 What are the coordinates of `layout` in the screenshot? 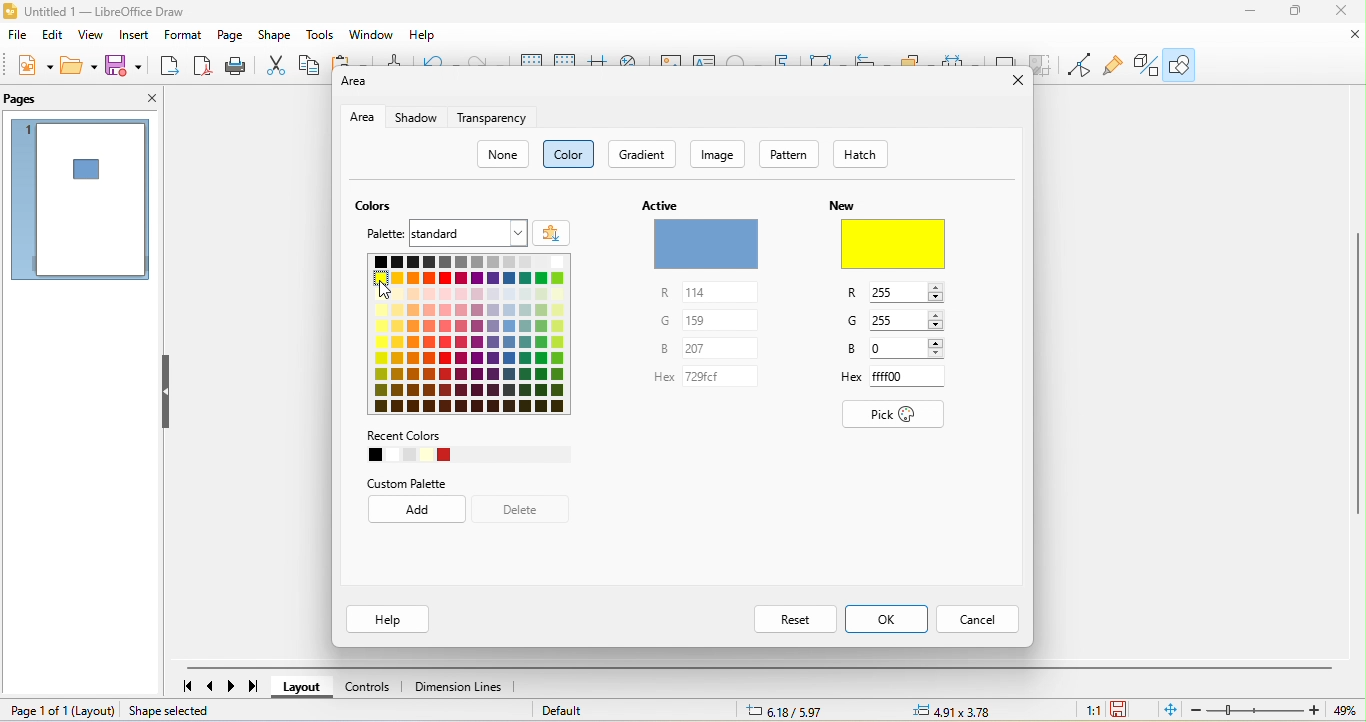 It's located at (307, 686).